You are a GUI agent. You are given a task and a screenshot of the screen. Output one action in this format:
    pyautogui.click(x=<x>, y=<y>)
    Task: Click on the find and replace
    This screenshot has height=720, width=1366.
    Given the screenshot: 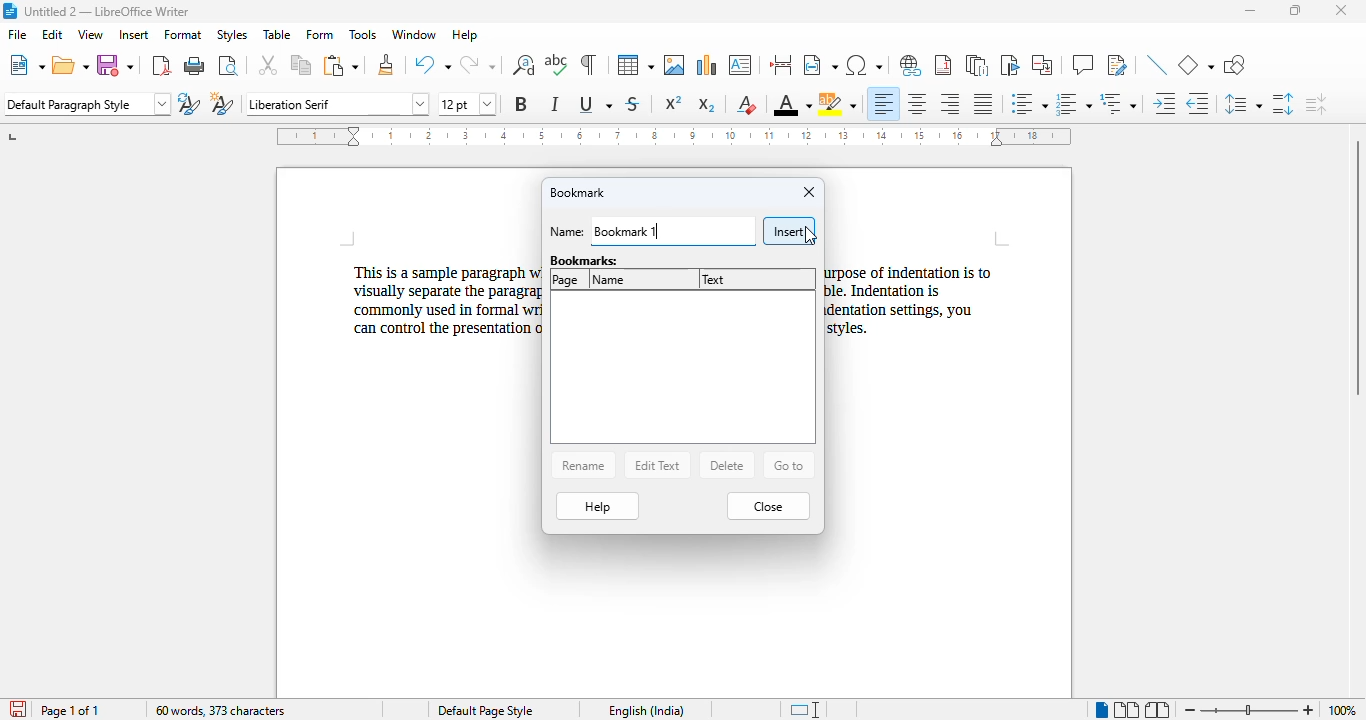 What is the action you would take?
    pyautogui.click(x=523, y=65)
    